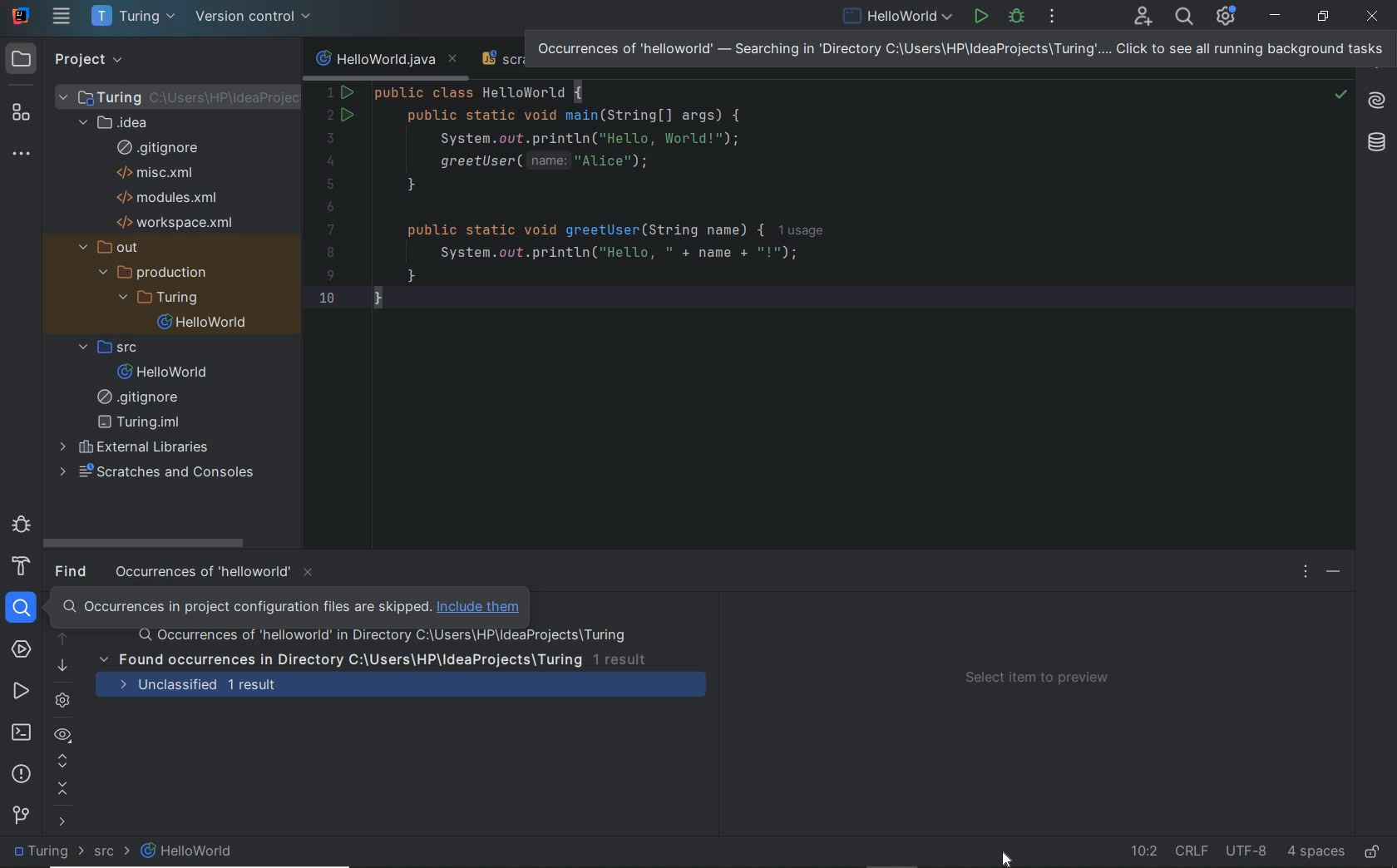  What do you see at coordinates (24, 608) in the screenshot?
I see `search` at bounding box center [24, 608].